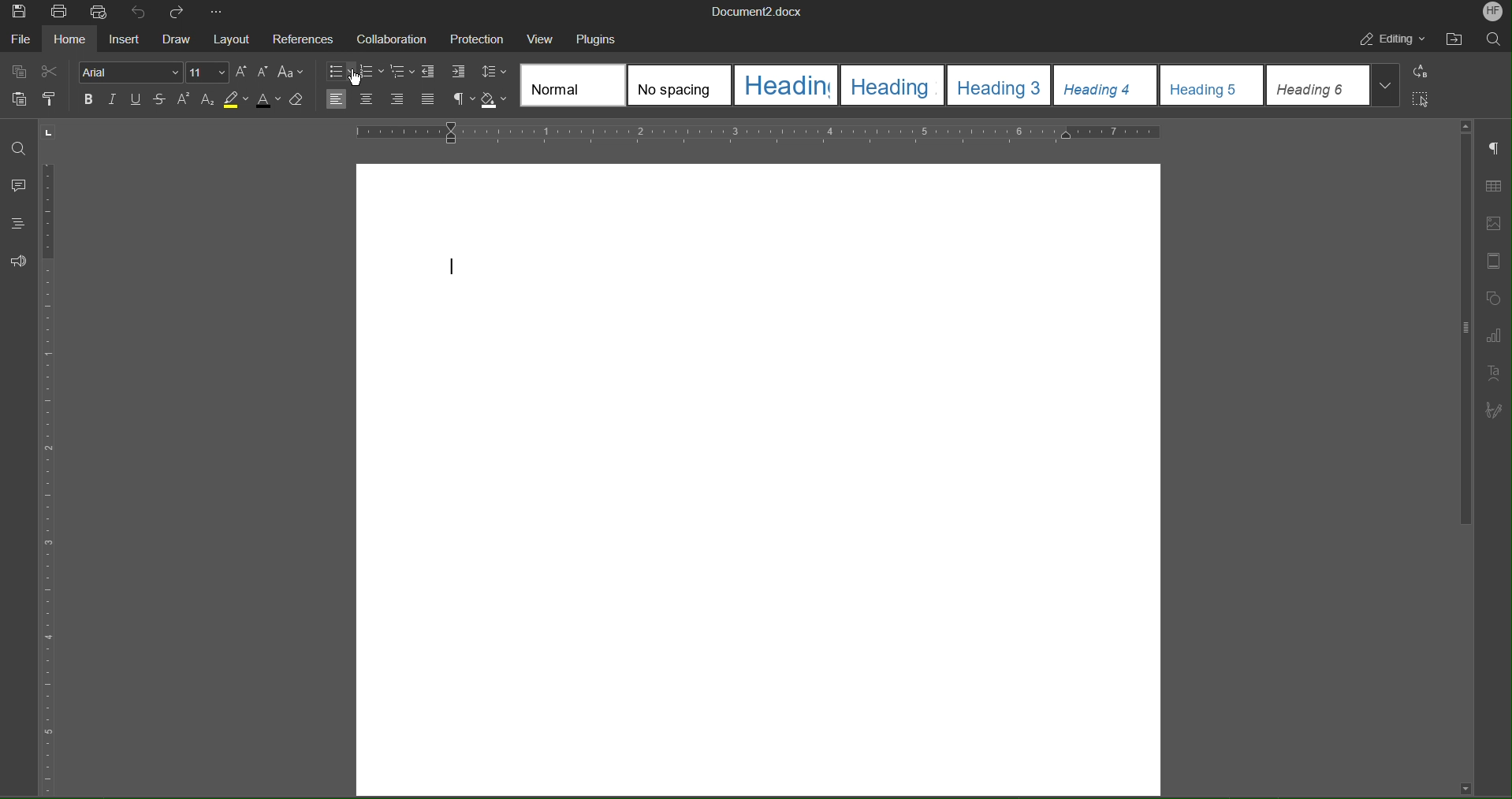 The width and height of the screenshot is (1512, 799). Describe the element at coordinates (1492, 370) in the screenshot. I see `Text Art` at that location.